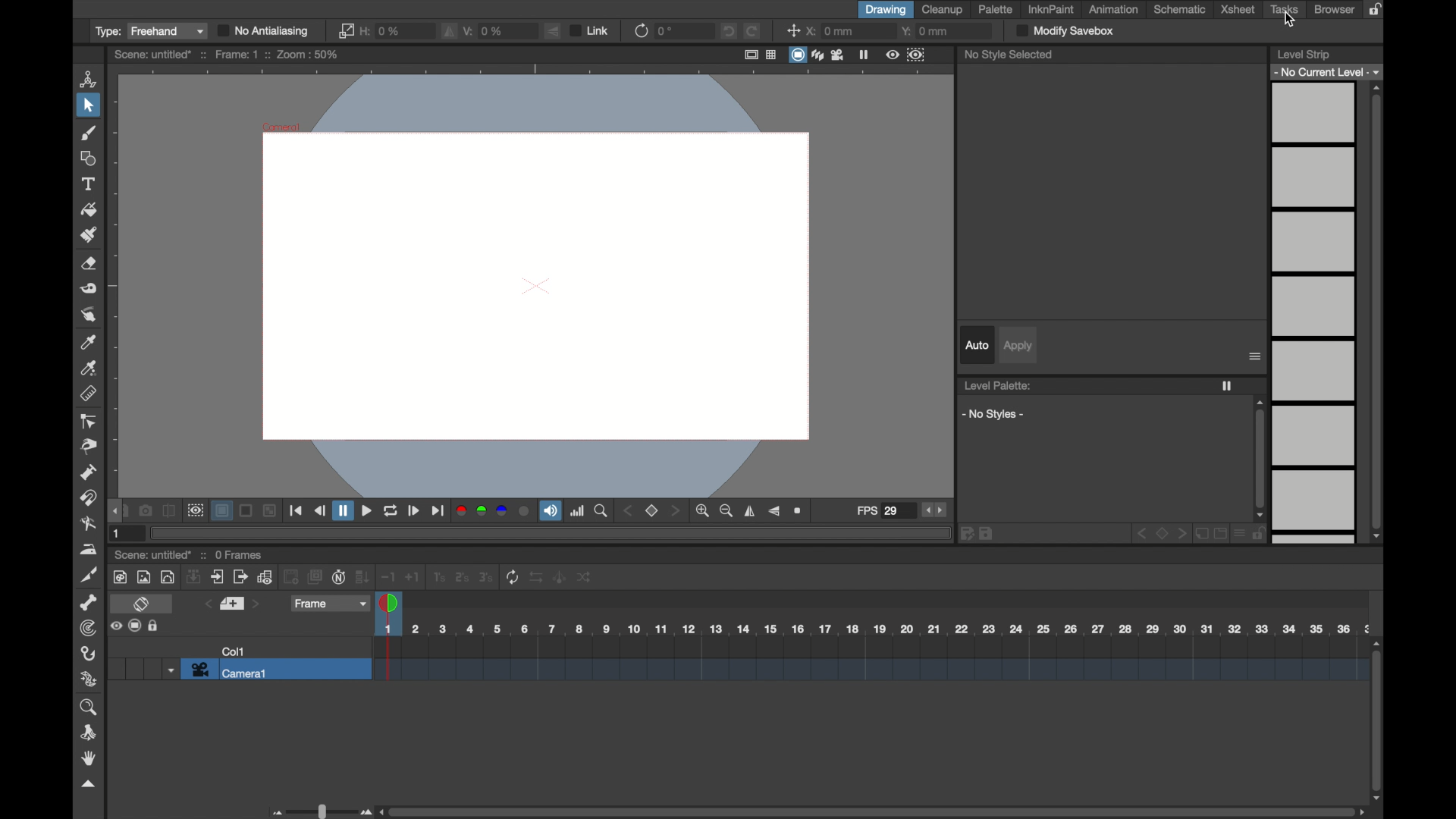 This screenshot has height=819, width=1456. Describe the element at coordinates (771, 55) in the screenshot. I see `Field guide` at that location.